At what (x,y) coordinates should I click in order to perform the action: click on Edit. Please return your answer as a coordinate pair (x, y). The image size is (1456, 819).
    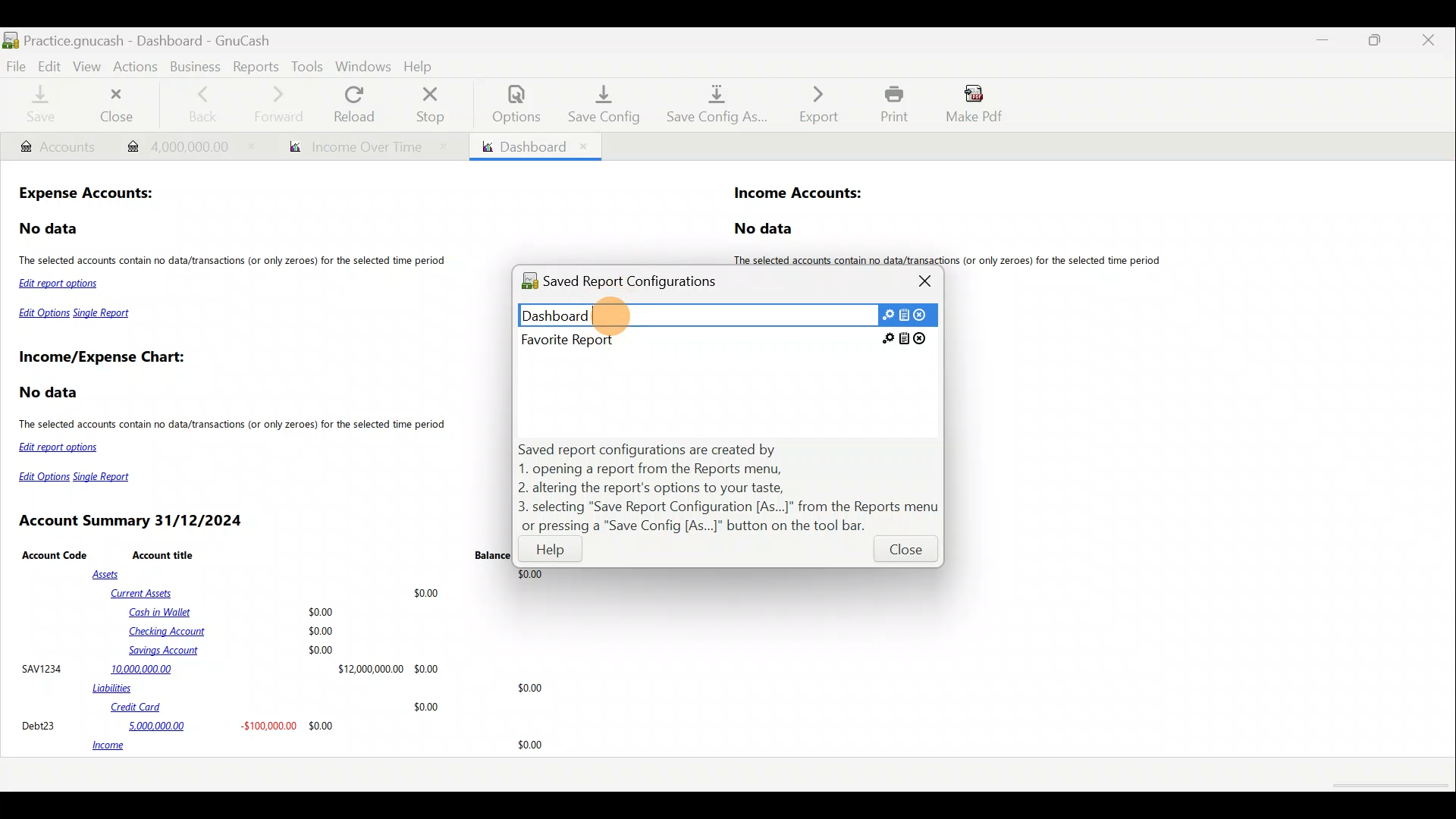
    Looking at the image, I should click on (49, 65).